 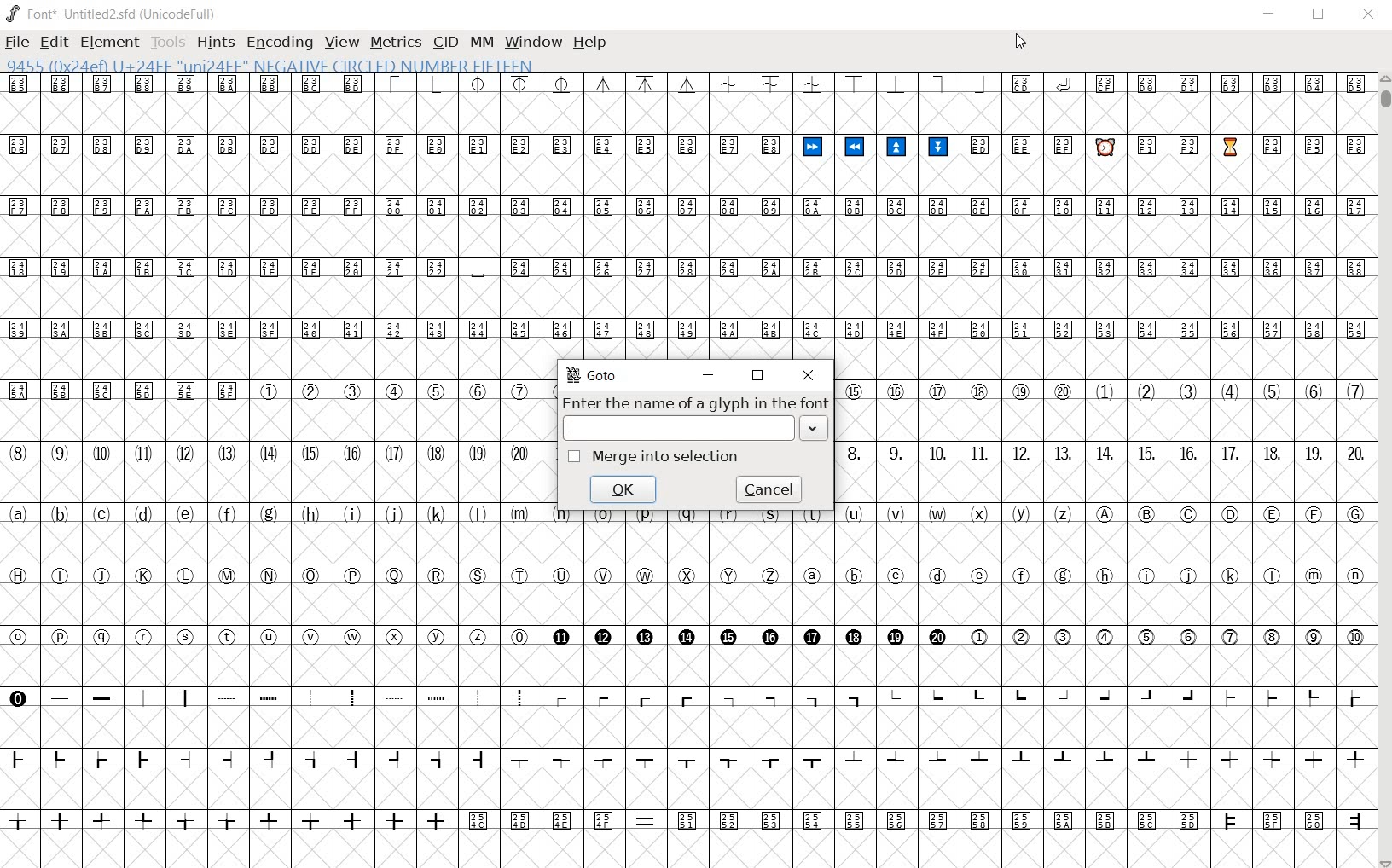 What do you see at coordinates (445, 43) in the screenshot?
I see `CID` at bounding box center [445, 43].